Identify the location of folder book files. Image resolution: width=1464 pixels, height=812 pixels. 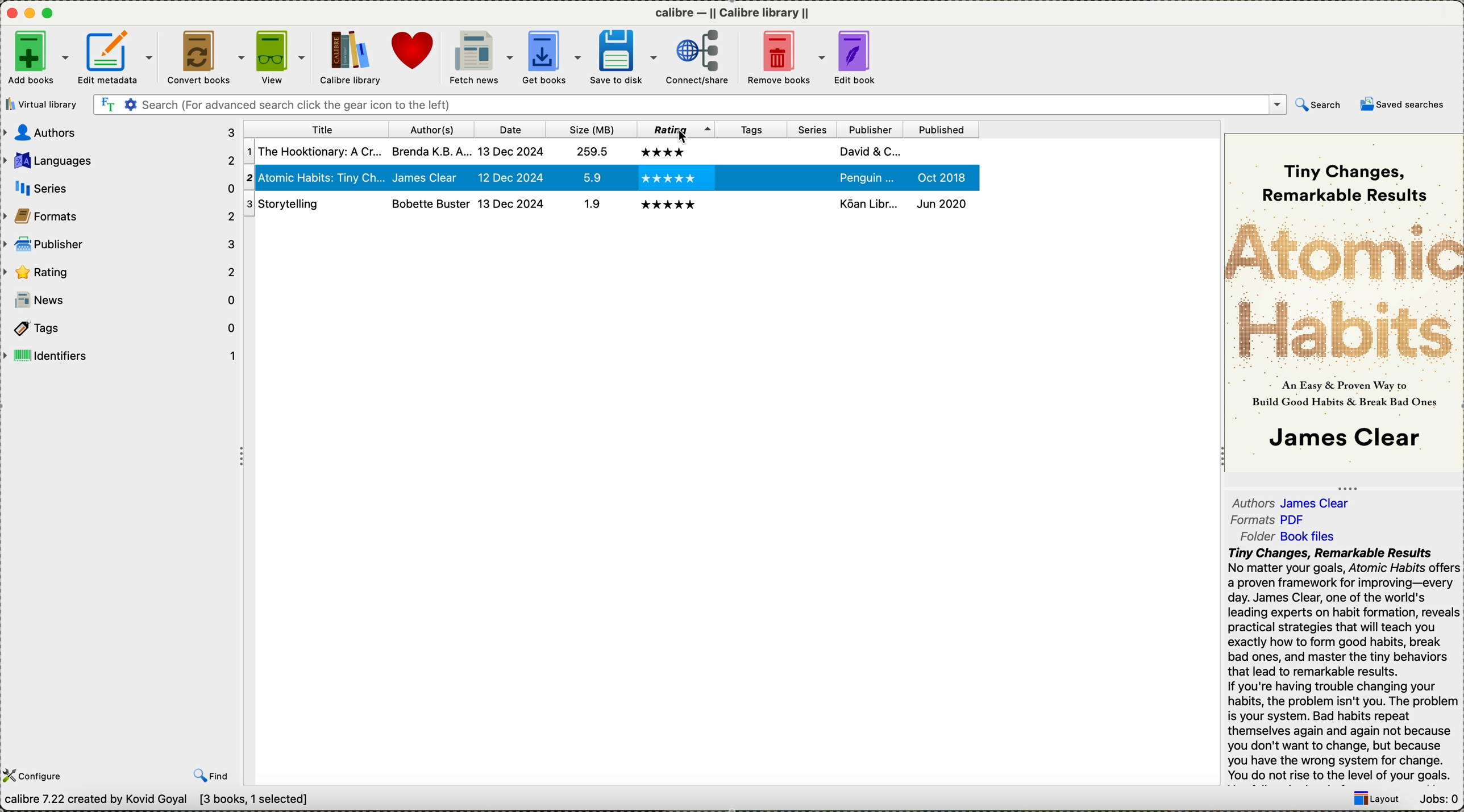
(1250, 536).